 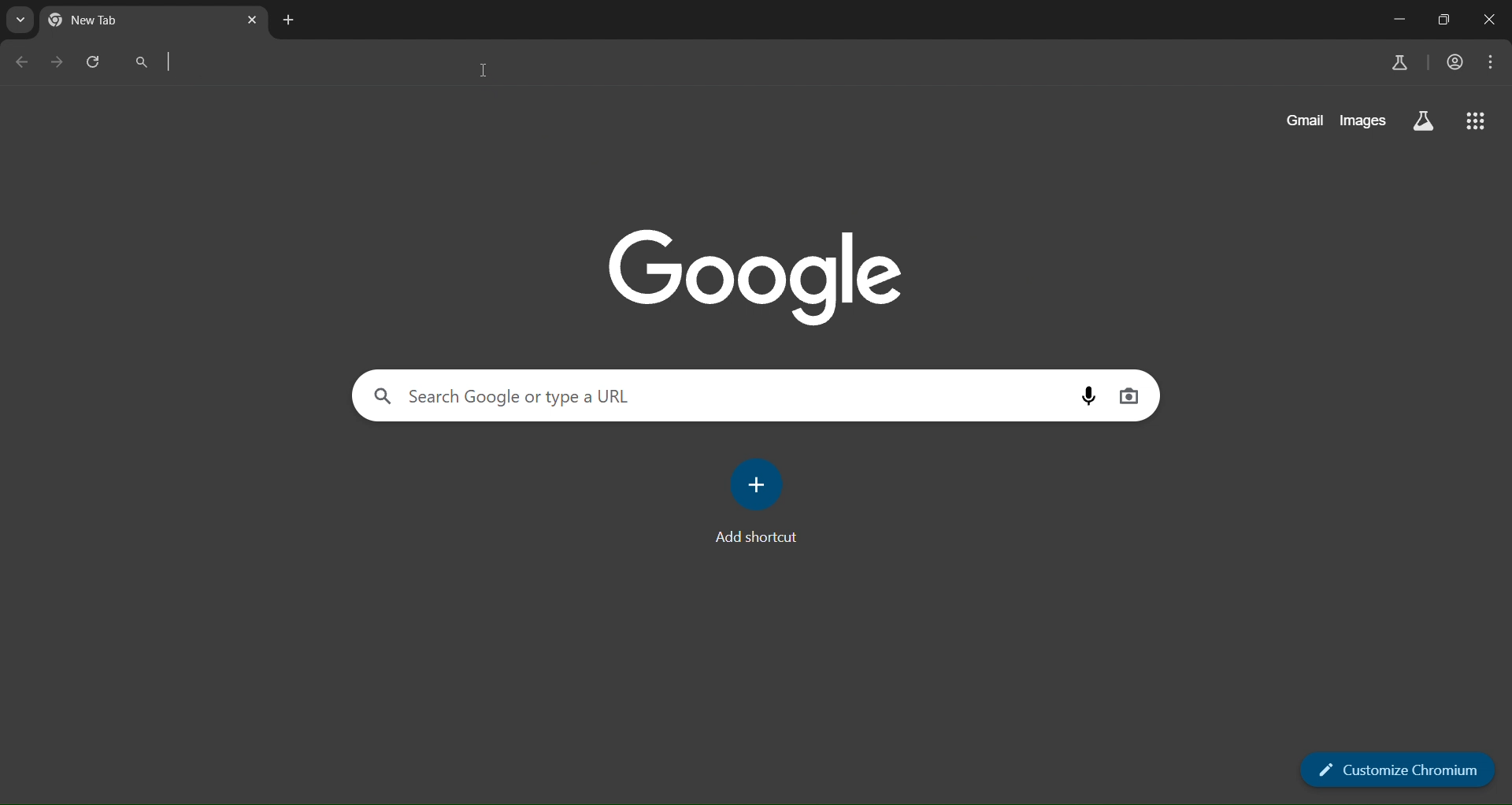 What do you see at coordinates (1126, 395) in the screenshot?
I see `image search` at bounding box center [1126, 395].